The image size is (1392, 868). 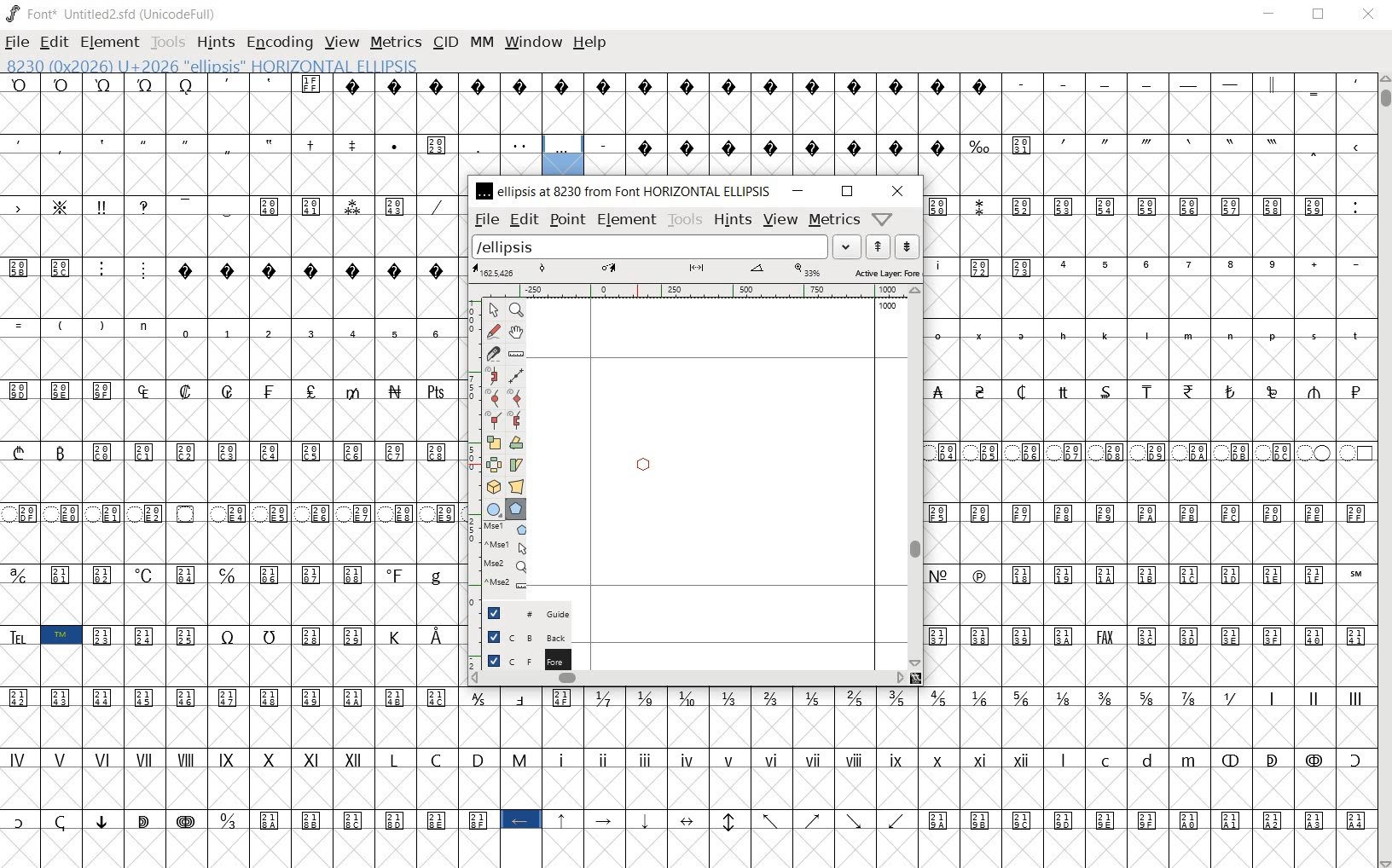 What do you see at coordinates (497, 310) in the screenshot?
I see `POINTER` at bounding box center [497, 310].